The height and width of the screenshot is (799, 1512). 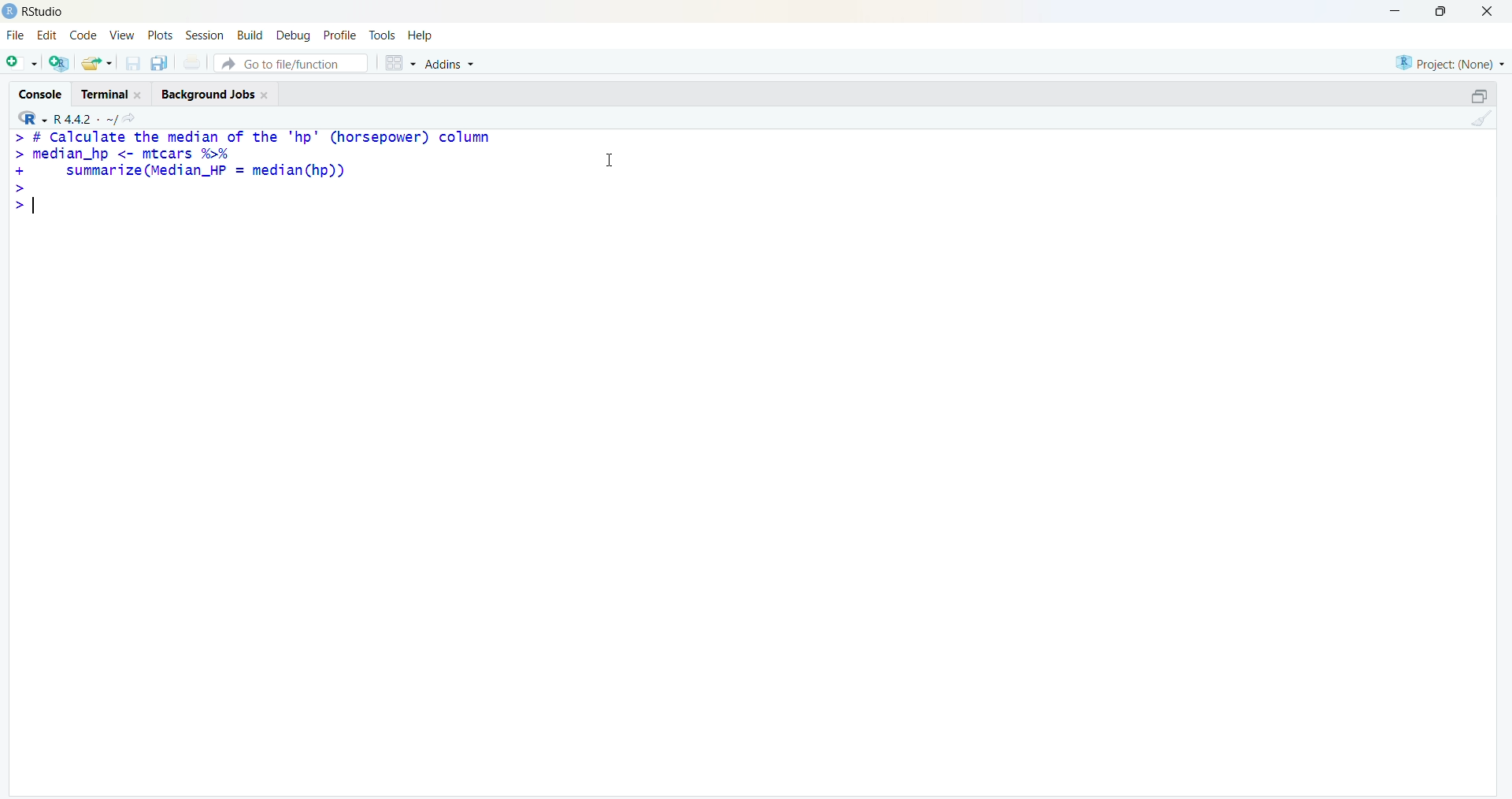 I want to click on terminal, so click(x=106, y=95).